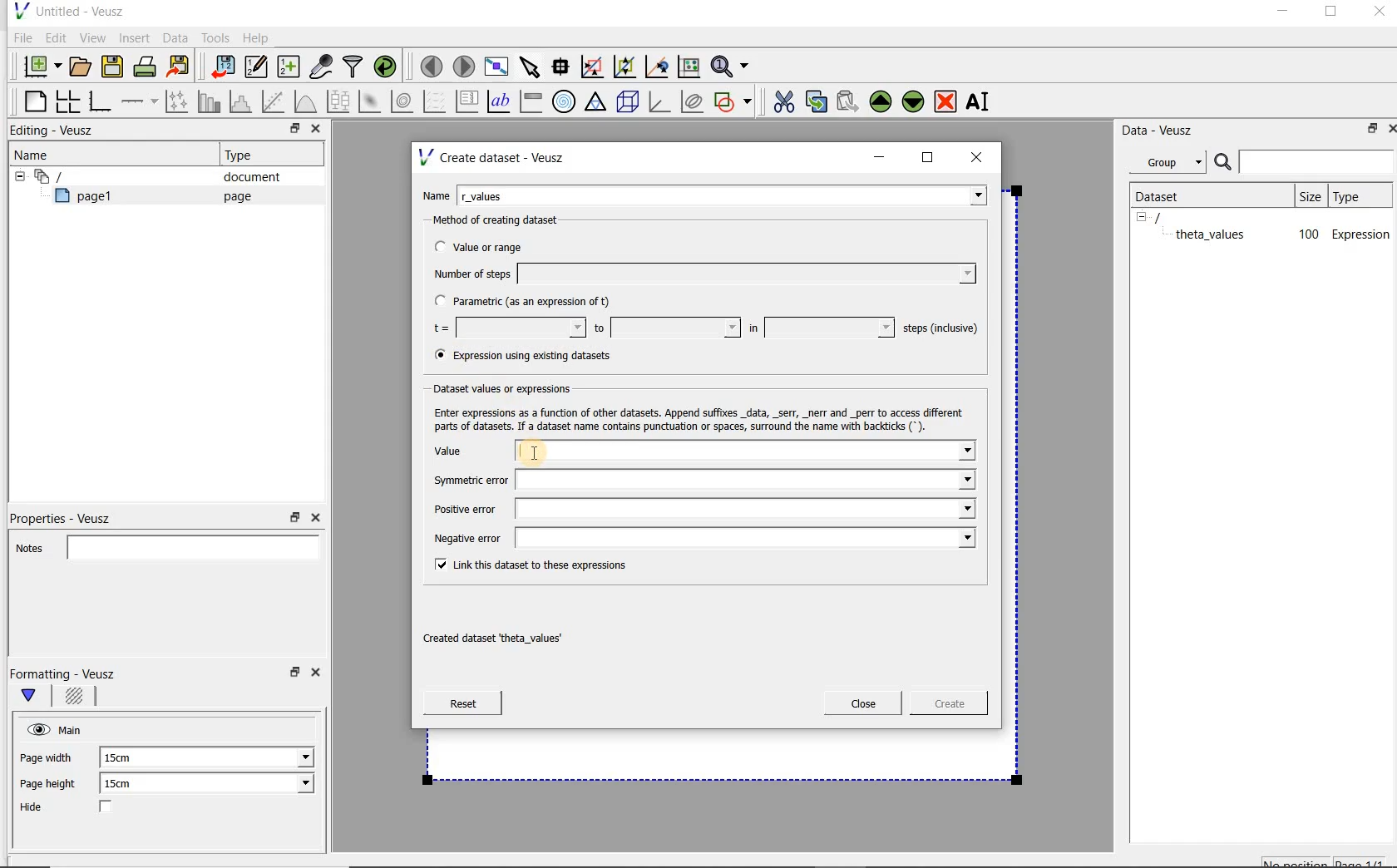  I want to click on blank page, so click(32, 99).